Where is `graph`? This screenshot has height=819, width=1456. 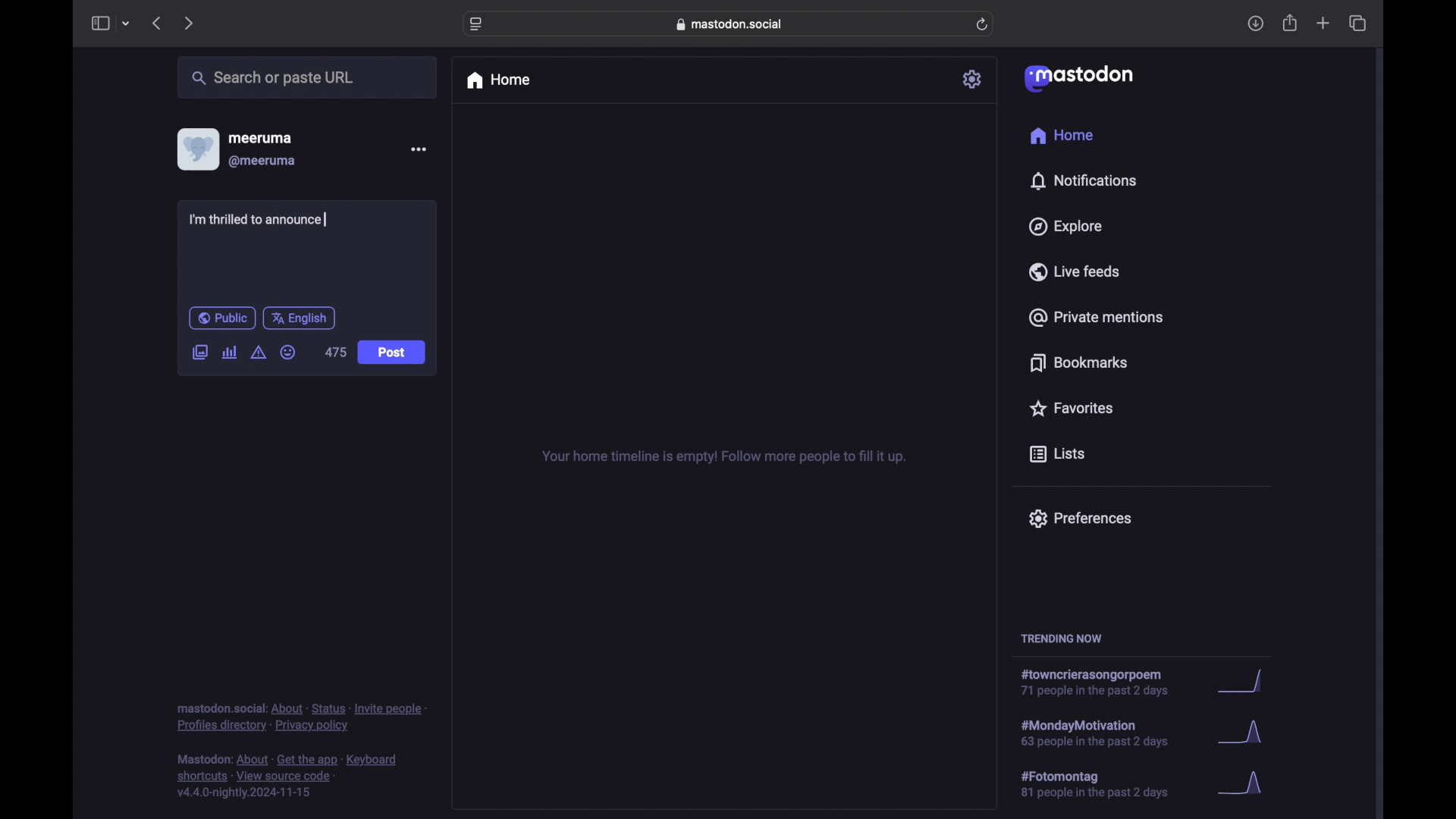 graph is located at coordinates (1245, 784).